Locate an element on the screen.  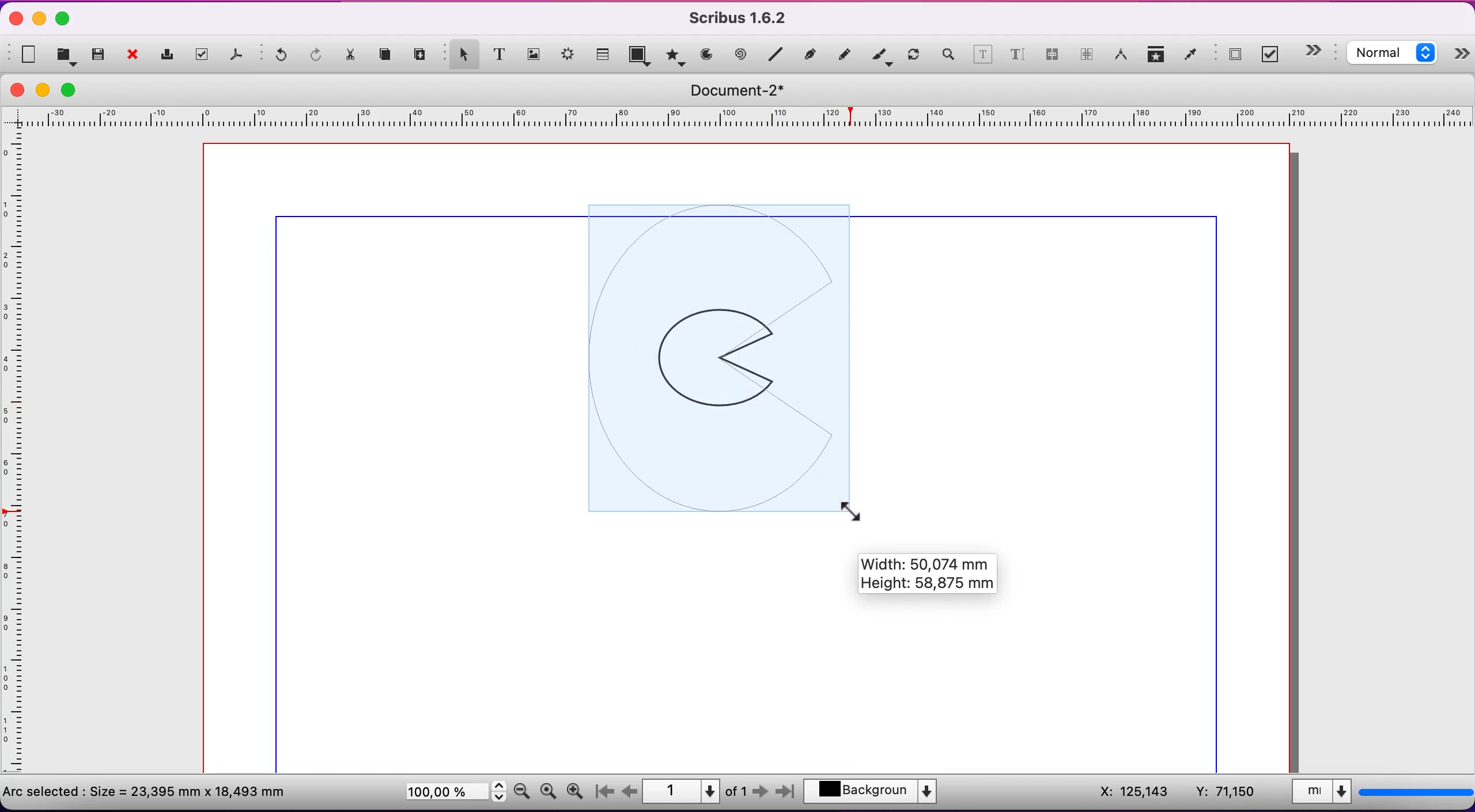
open is located at coordinates (68, 55).